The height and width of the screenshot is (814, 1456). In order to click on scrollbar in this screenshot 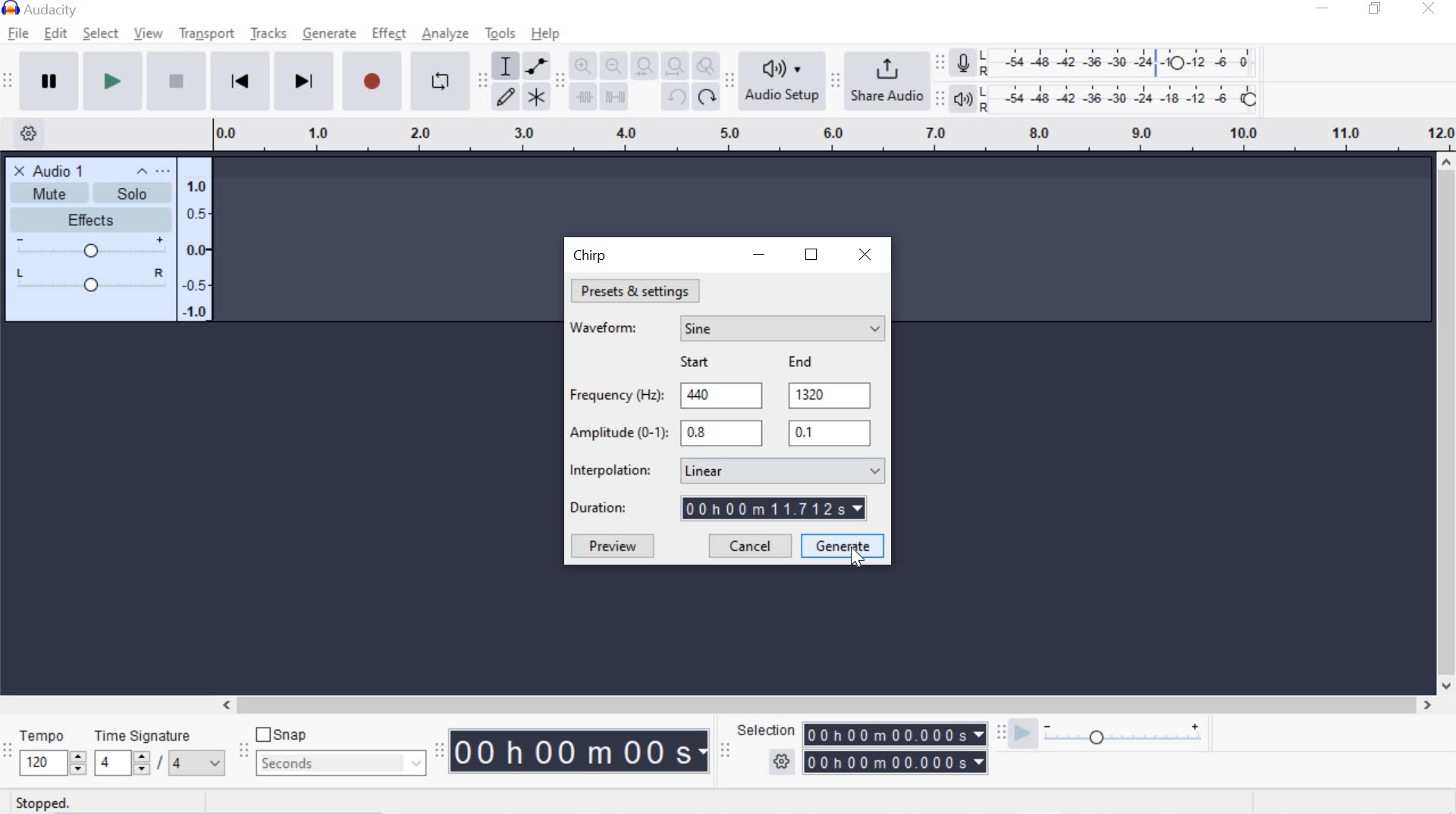, I will do `click(1443, 423)`.